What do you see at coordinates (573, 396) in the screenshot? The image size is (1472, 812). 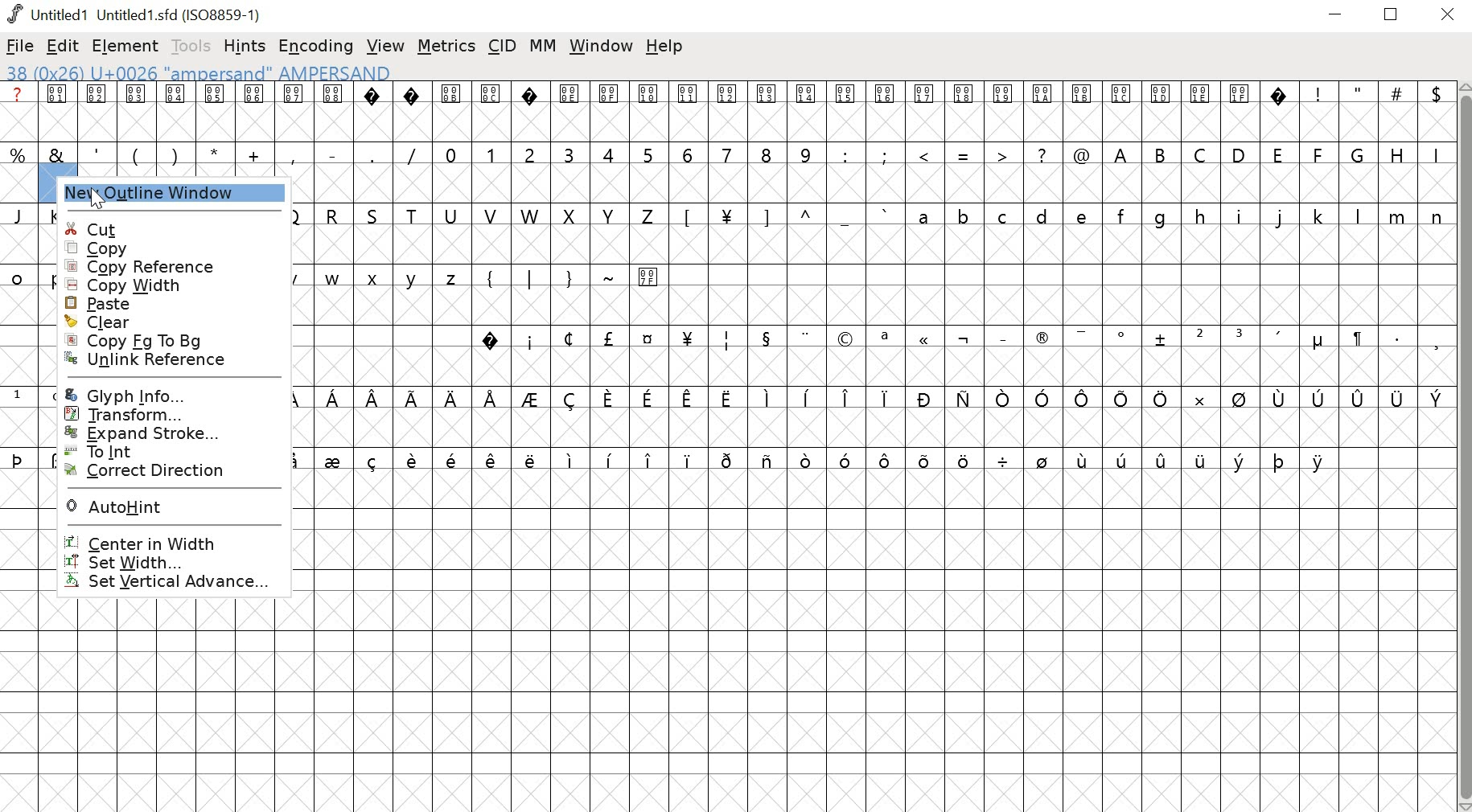 I see `symbol` at bounding box center [573, 396].